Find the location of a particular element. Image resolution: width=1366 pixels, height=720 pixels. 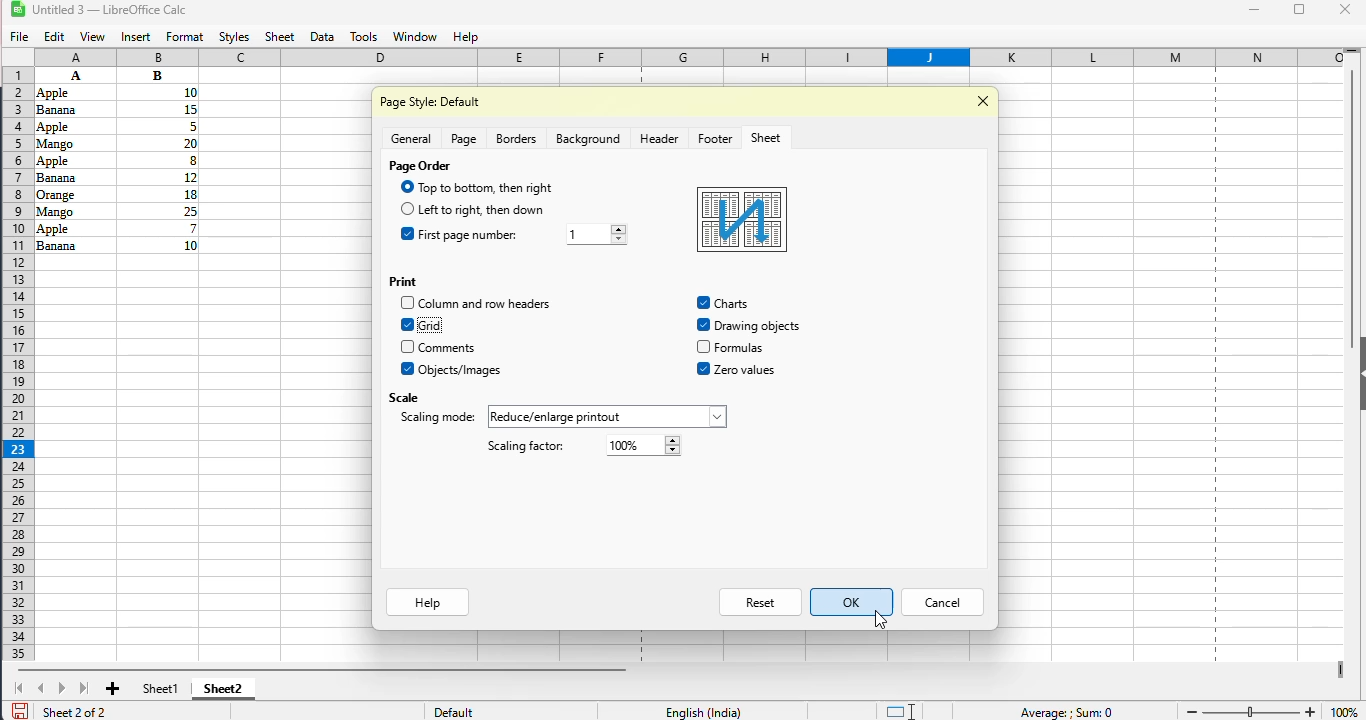

cancel is located at coordinates (942, 603).